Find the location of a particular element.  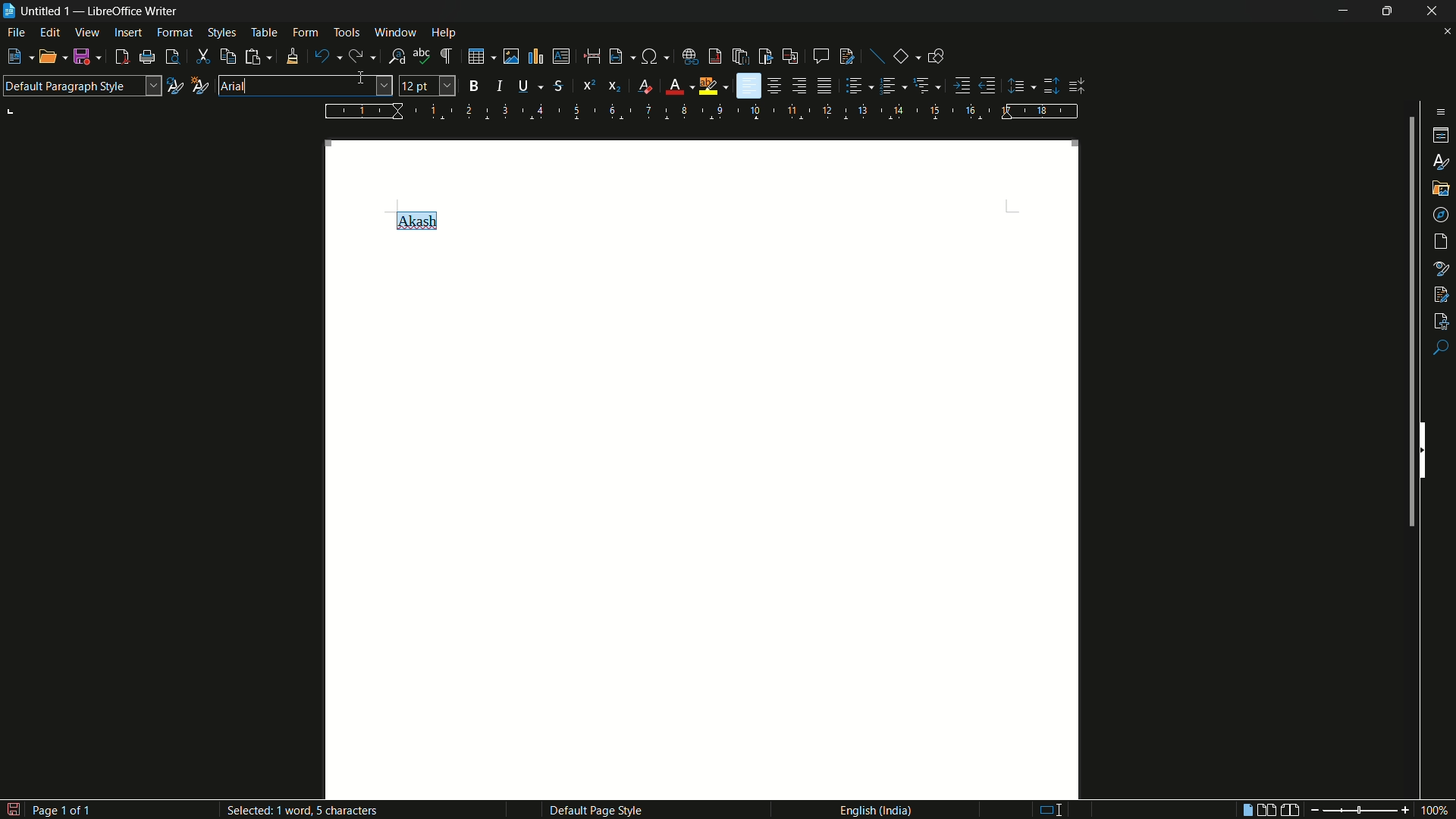

page break is located at coordinates (591, 56).